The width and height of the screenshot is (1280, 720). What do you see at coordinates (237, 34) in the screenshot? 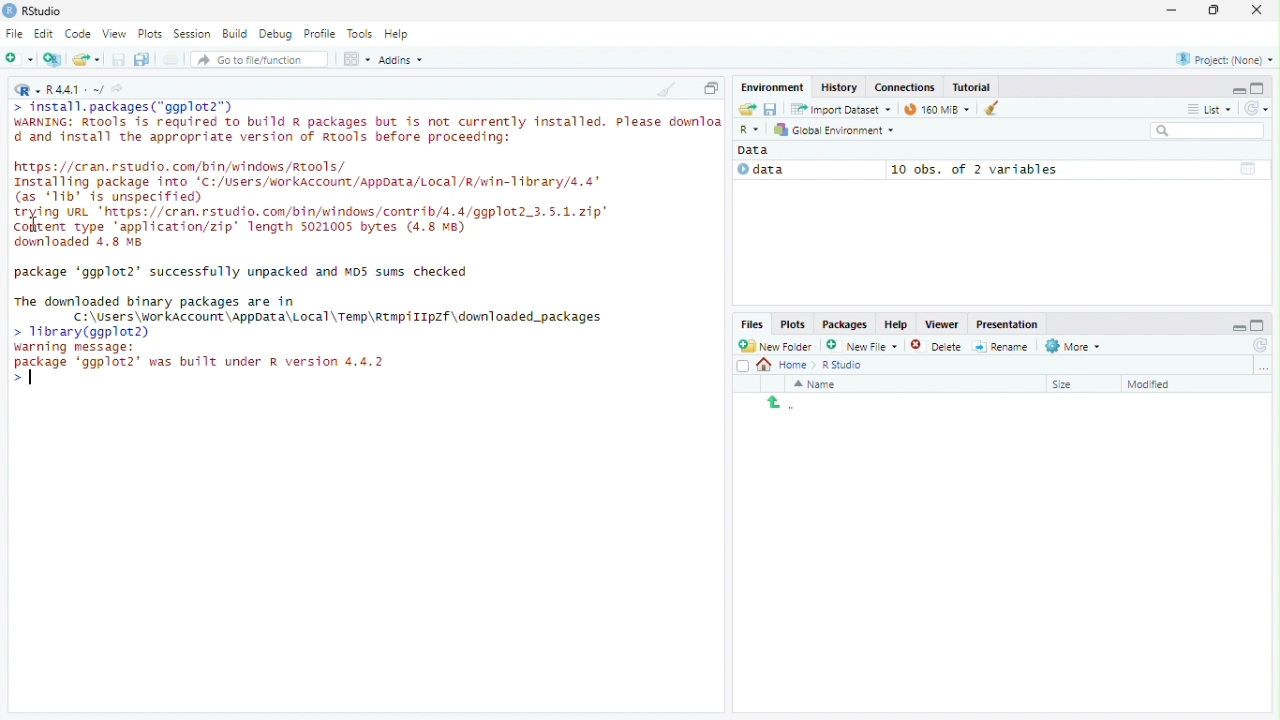
I see `Build` at bounding box center [237, 34].